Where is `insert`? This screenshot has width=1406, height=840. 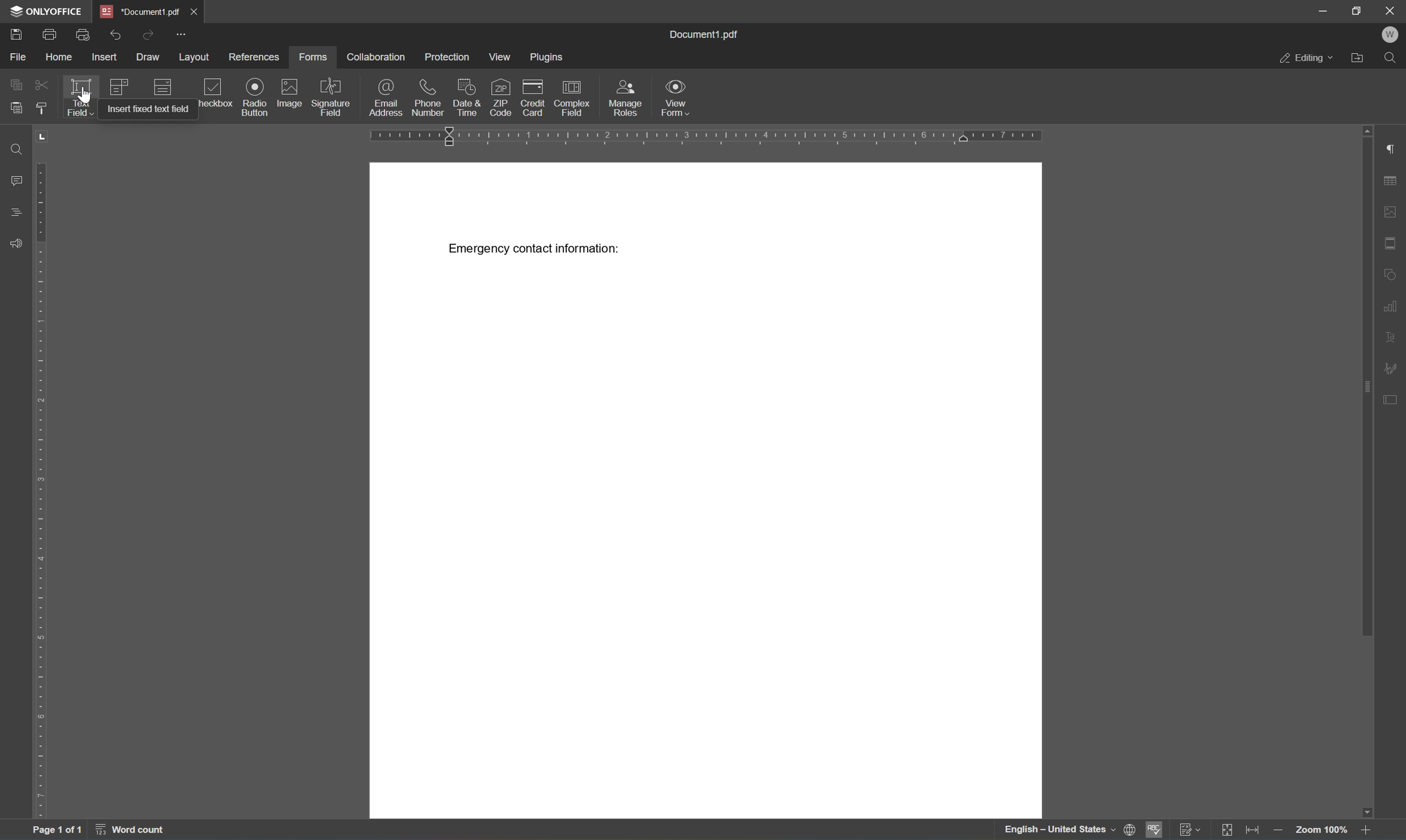 insert is located at coordinates (105, 58).